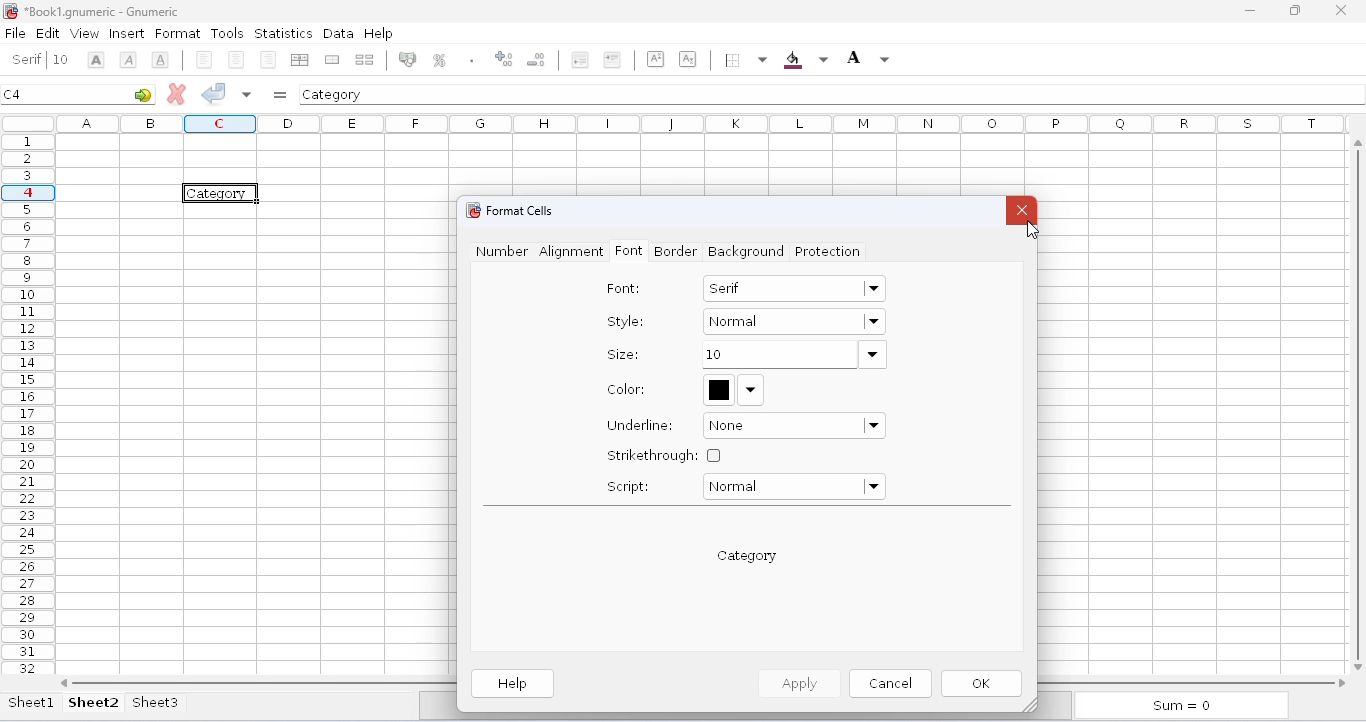  Describe the element at coordinates (734, 389) in the screenshot. I see `color` at that location.